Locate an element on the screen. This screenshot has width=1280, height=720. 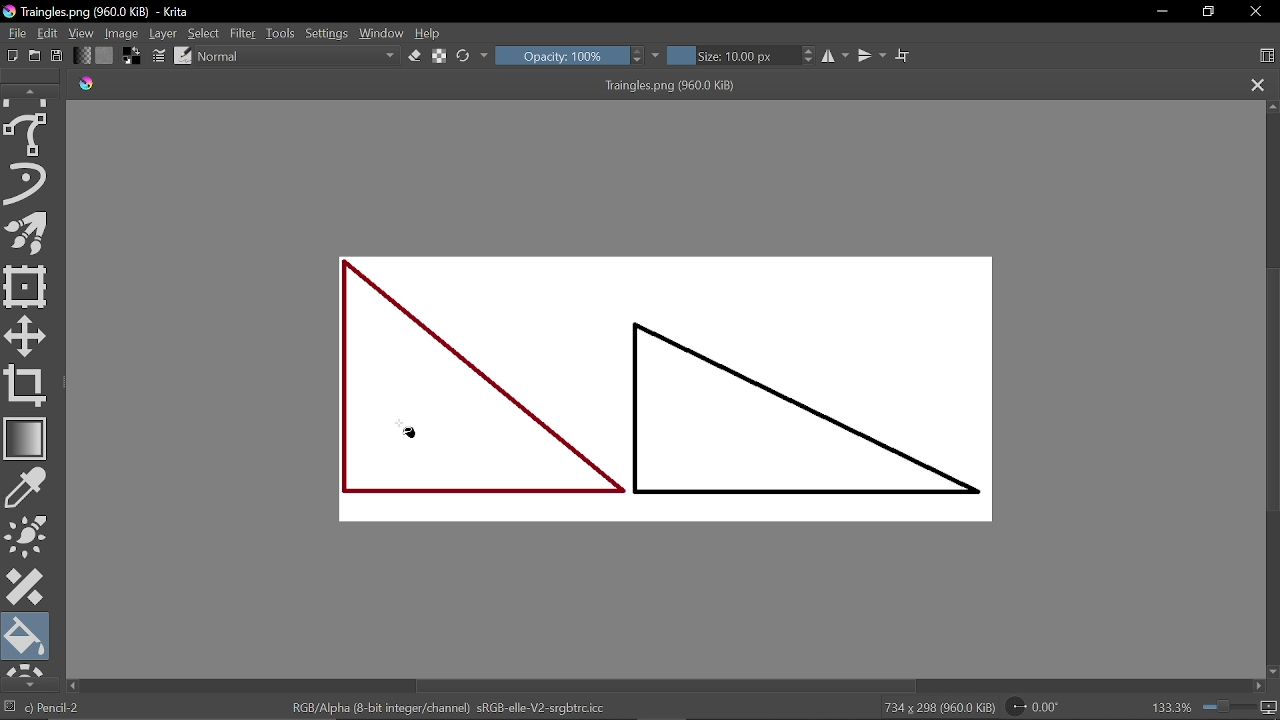
Horizontal mirror tool is located at coordinates (837, 57).